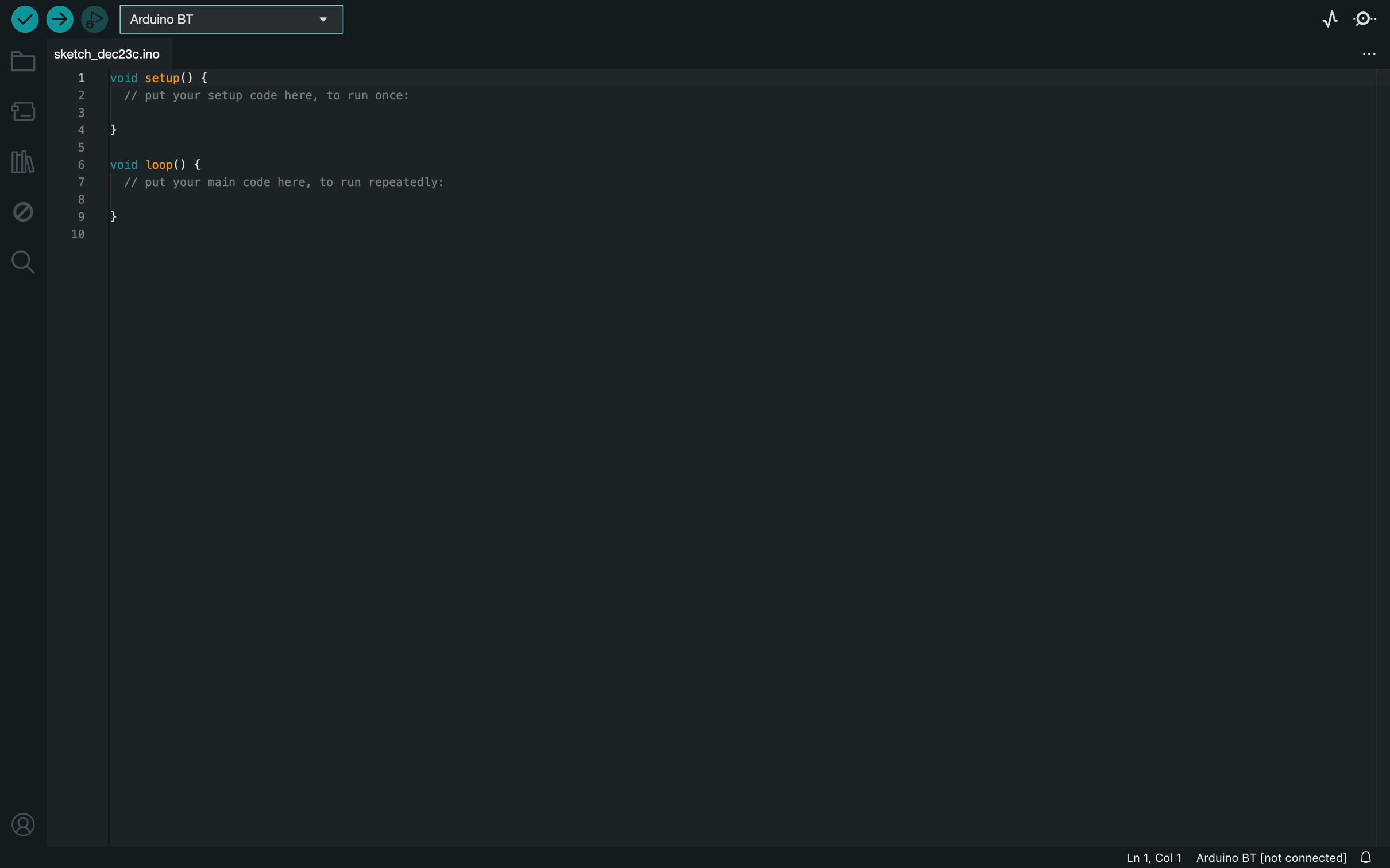 This screenshot has height=868, width=1390. Describe the element at coordinates (24, 262) in the screenshot. I see `search` at that location.